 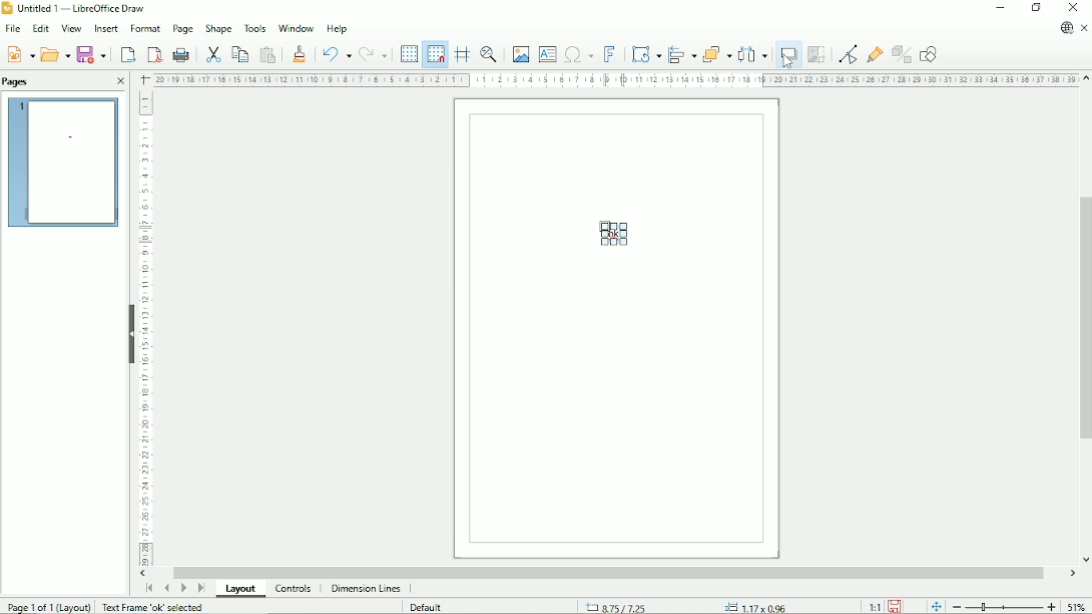 I want to click on Display grid, so click(x=408, y=52).